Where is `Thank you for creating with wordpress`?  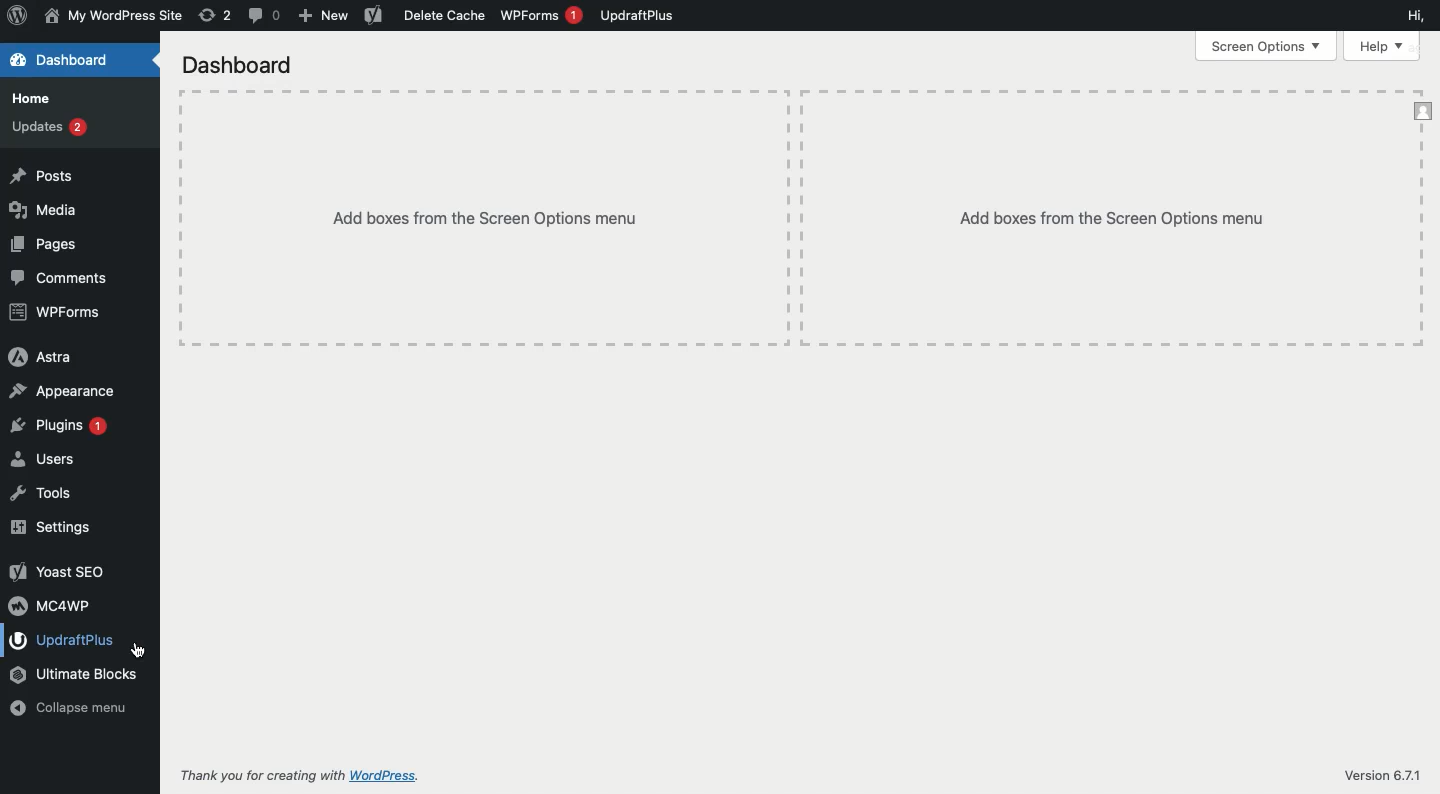 Thank you for creating with wordpress is located at coordinates (319, 775).